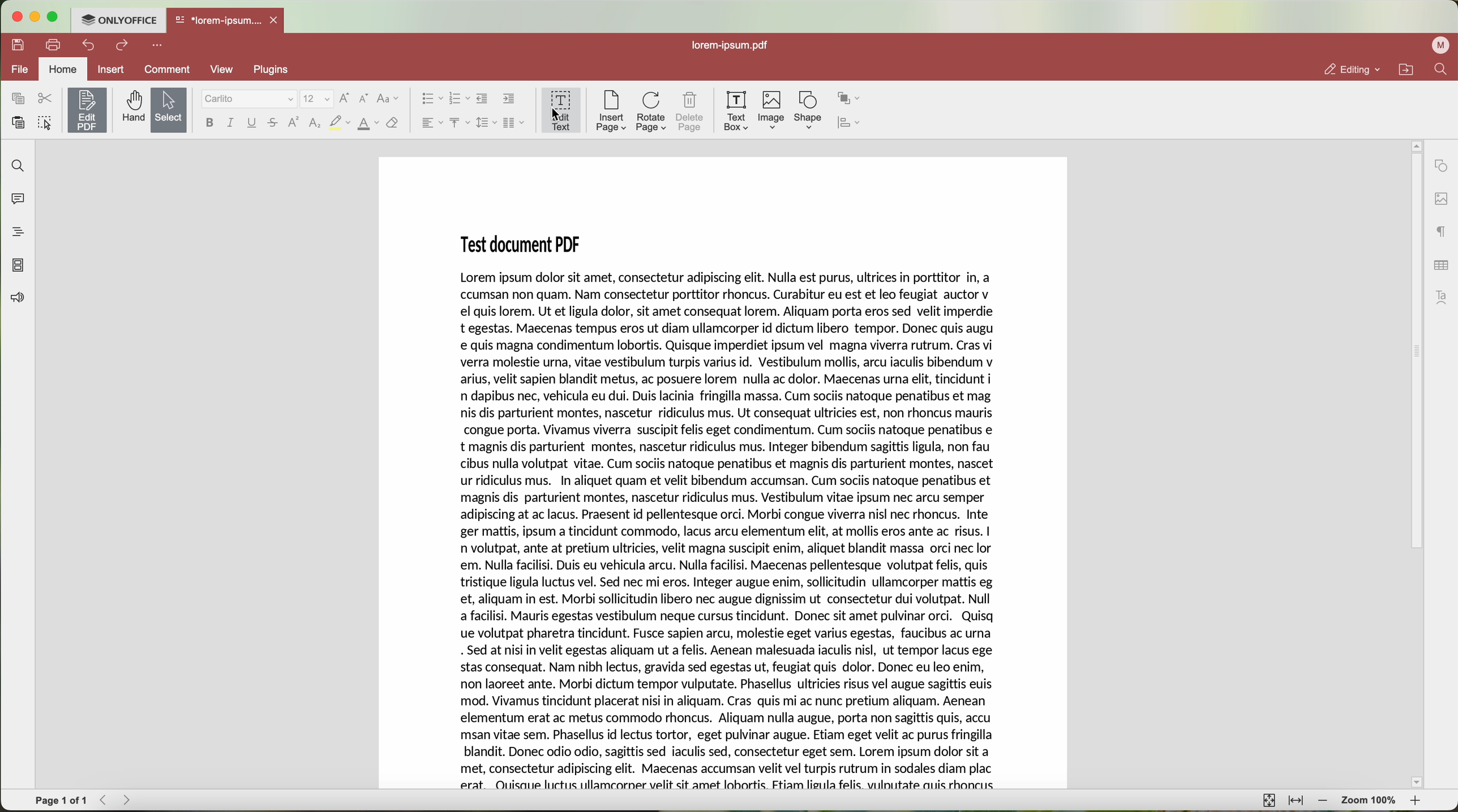 The height and width of the screenshot is (812, 1458). Describe the element at coordinates (1442, 268) in the screenshot. I see `table settings` at that location.